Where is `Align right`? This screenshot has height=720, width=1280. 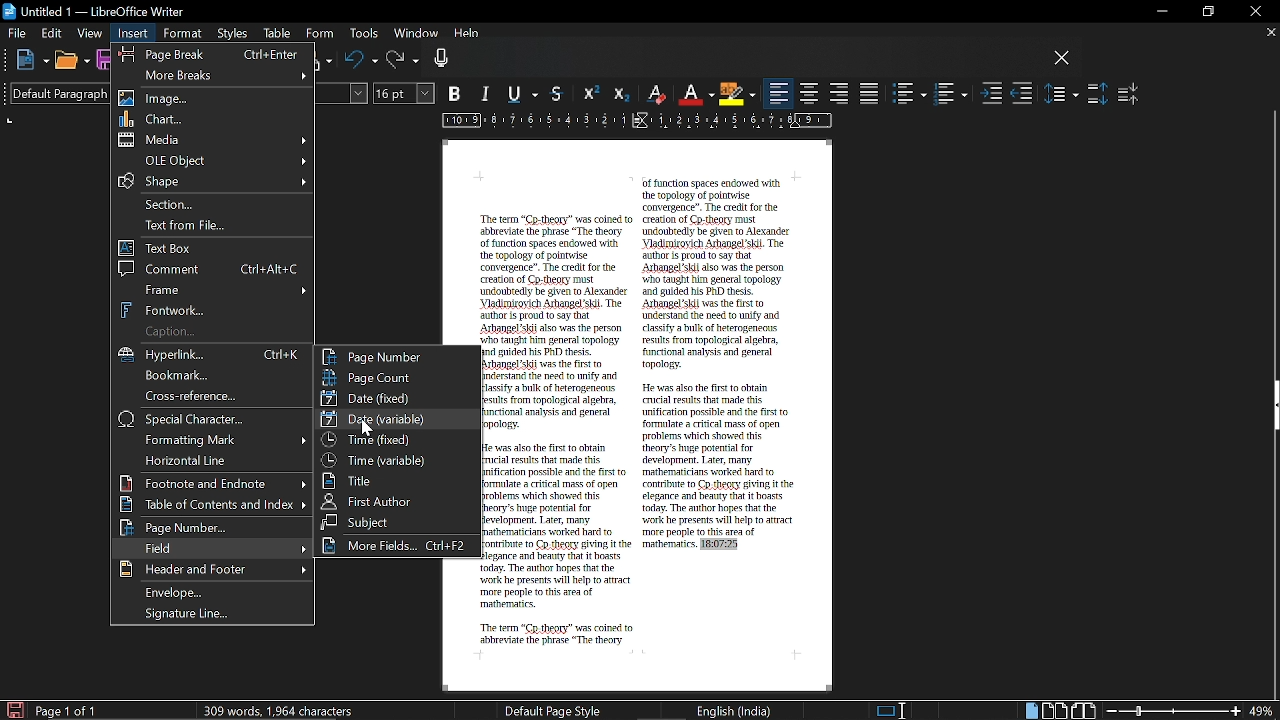
Align right is located at coordinates (840, 92).